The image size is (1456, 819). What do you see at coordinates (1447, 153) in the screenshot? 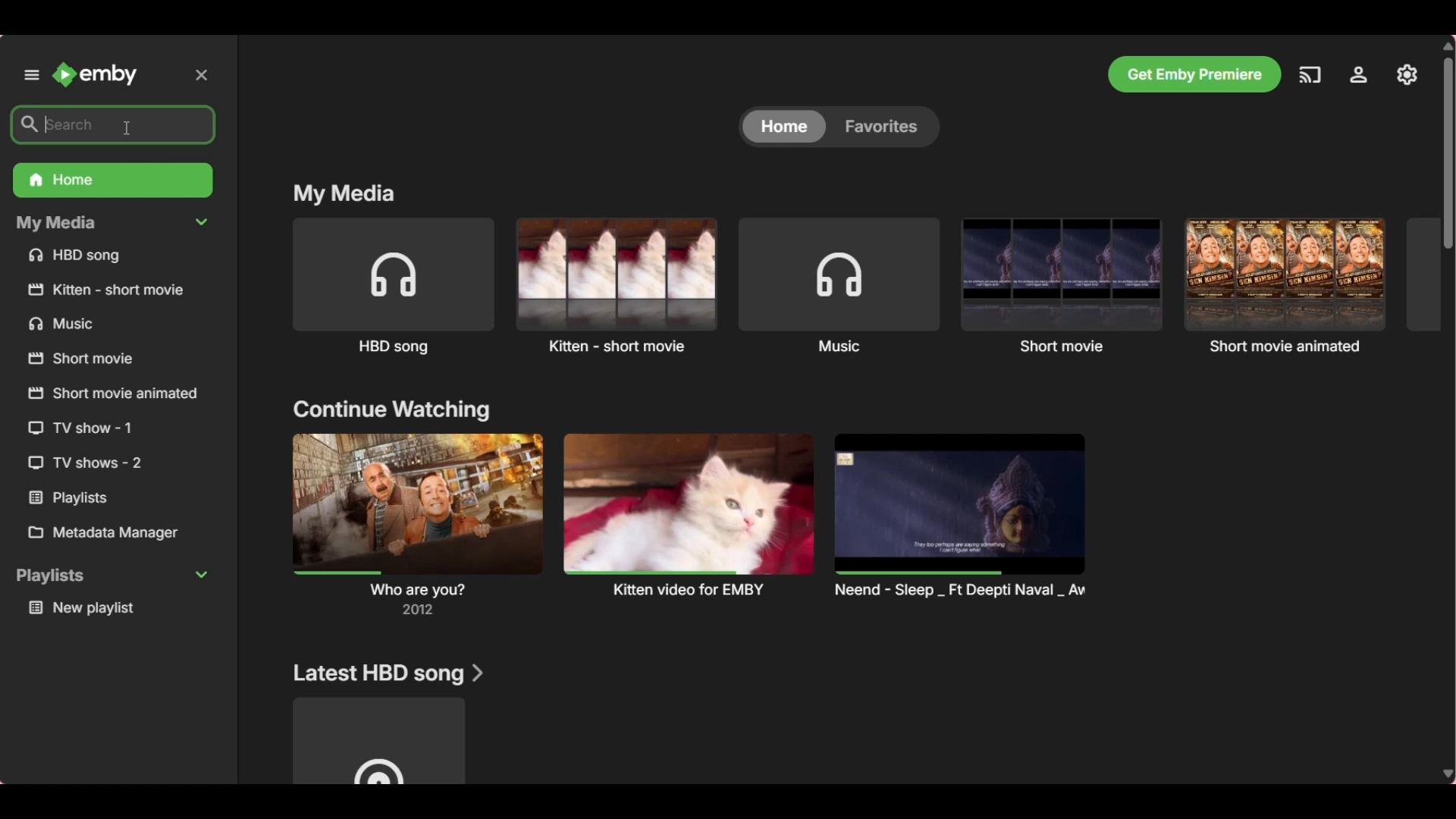
I see `scroll bar` at bounding box center [1447, 153].